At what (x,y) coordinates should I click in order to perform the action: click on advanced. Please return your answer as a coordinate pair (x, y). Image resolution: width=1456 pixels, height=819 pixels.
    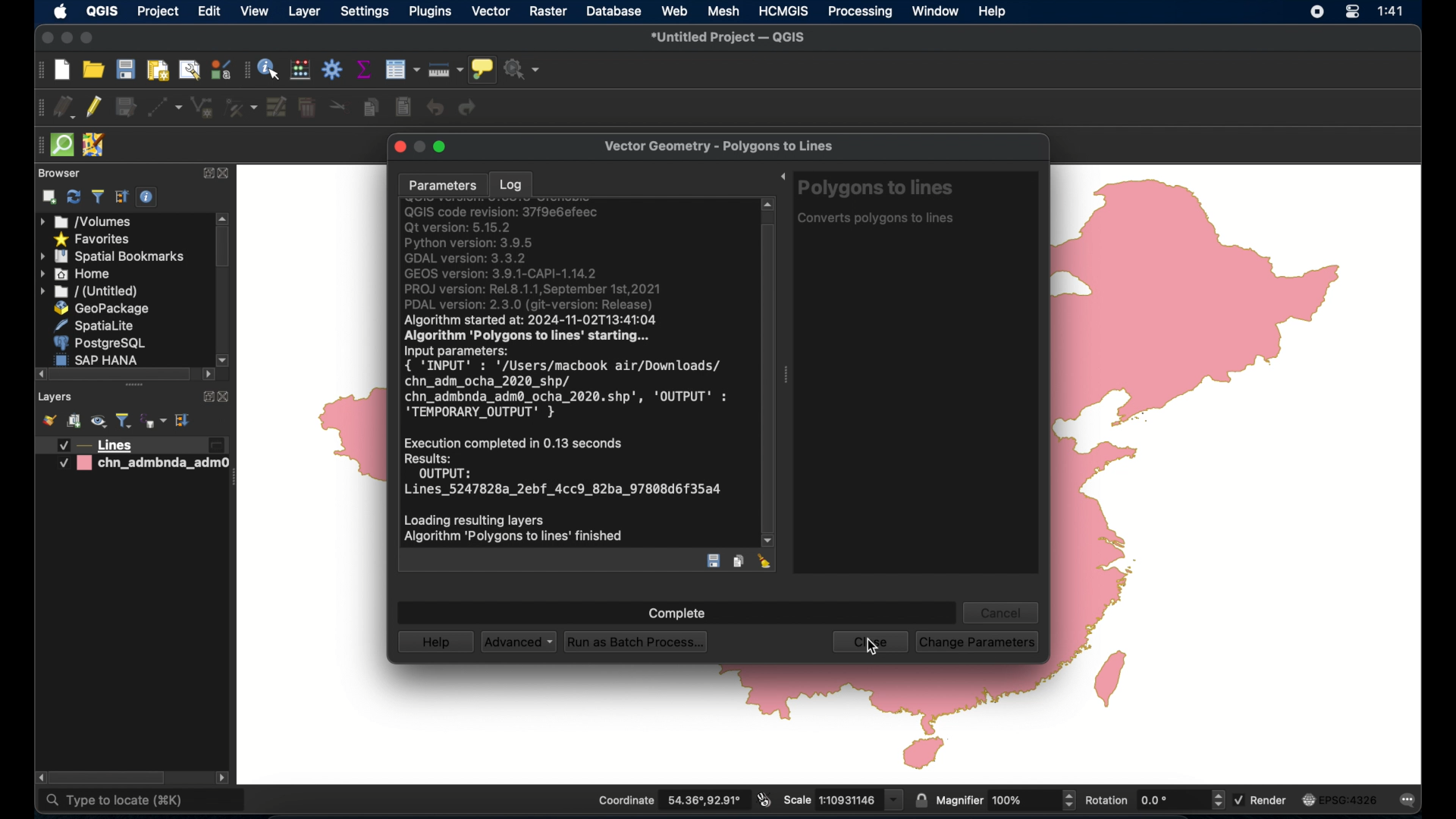
    Looking at the image, I should click on (519, 641).